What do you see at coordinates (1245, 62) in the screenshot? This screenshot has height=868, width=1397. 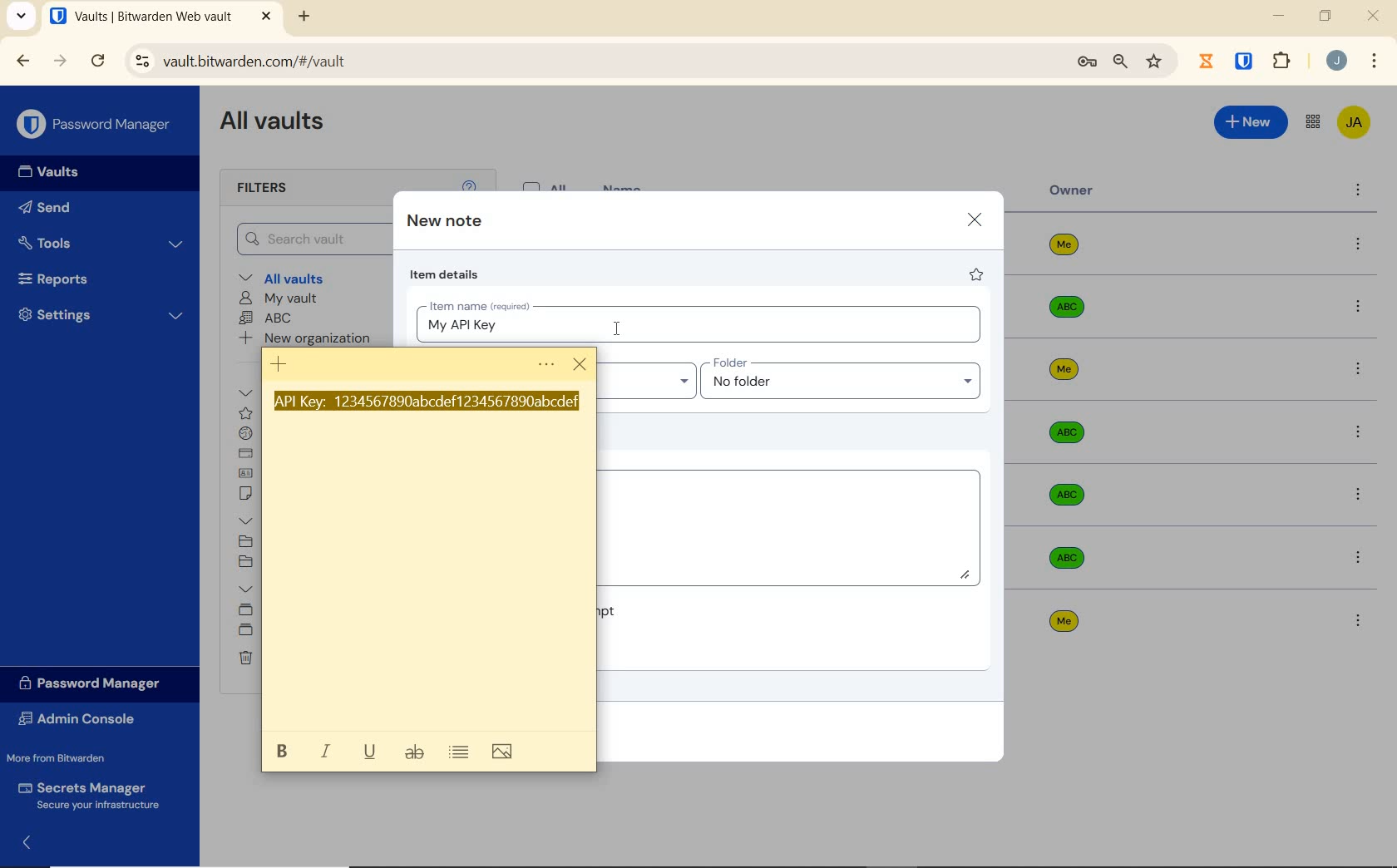 I see `BITWARDEN` at bounding box center [1245, 62].